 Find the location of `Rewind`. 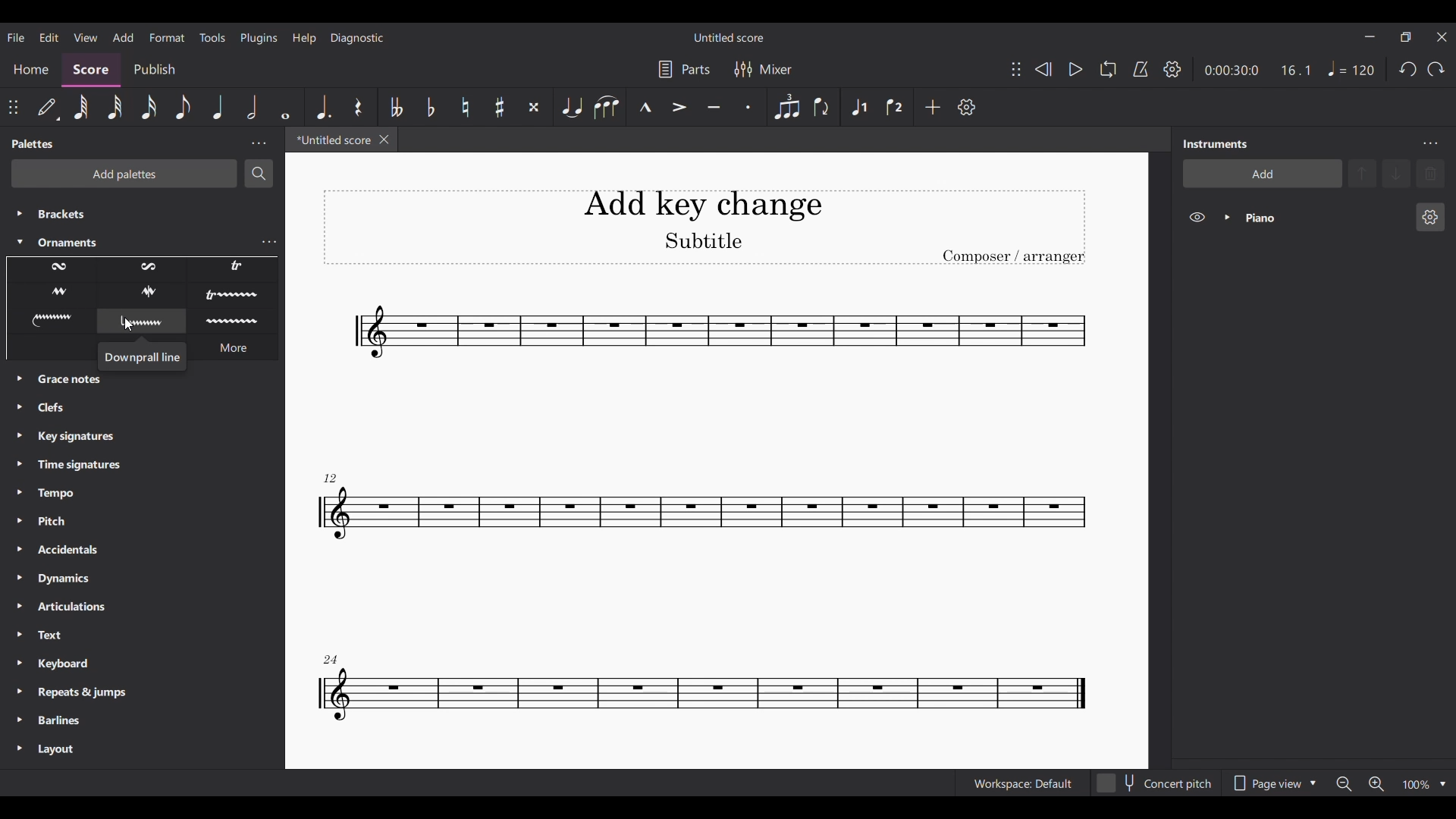

Rewind is located at coordinates (1043, 69).